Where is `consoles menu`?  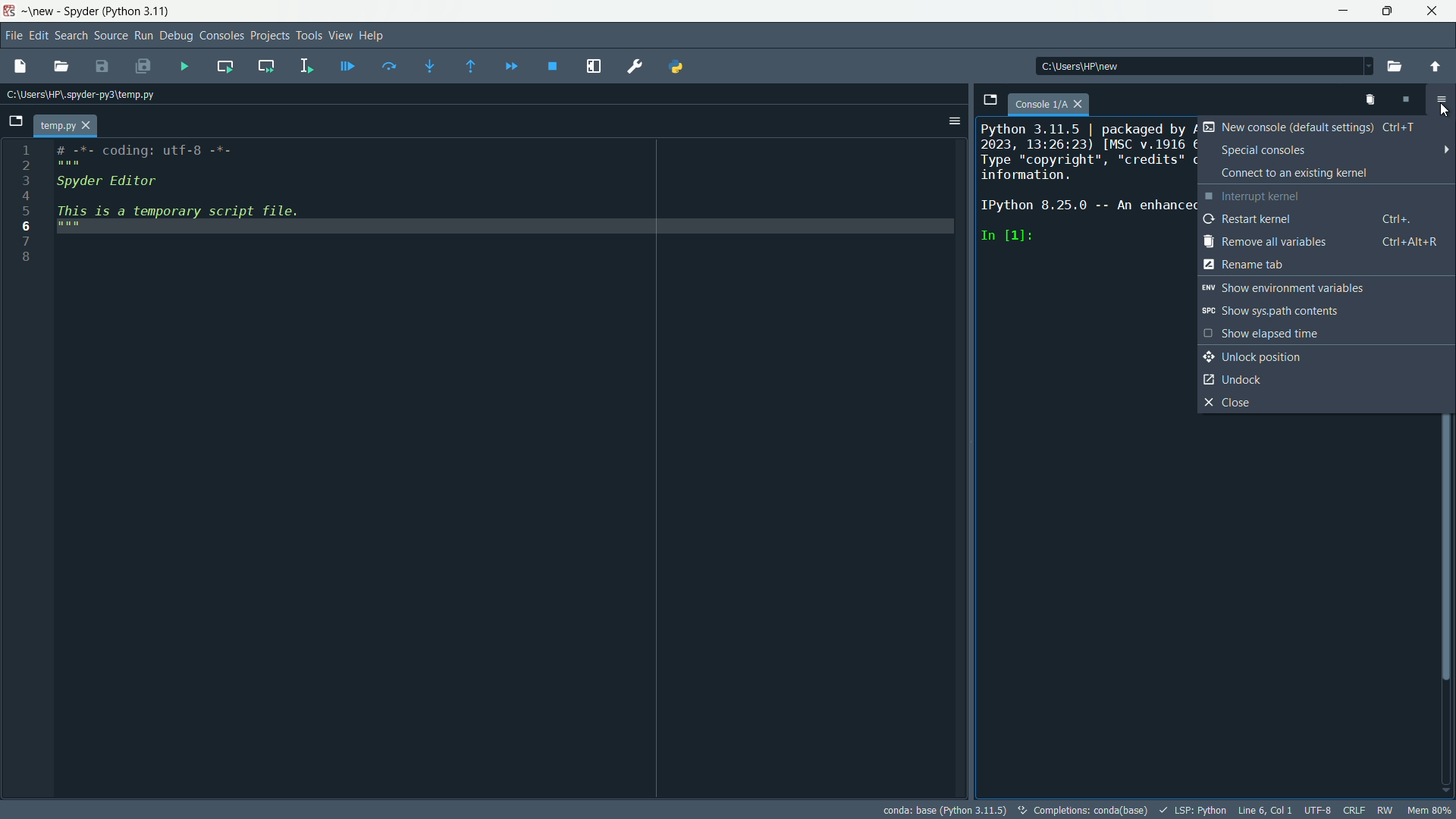
consoles menu is located at coordinates (221, 35).